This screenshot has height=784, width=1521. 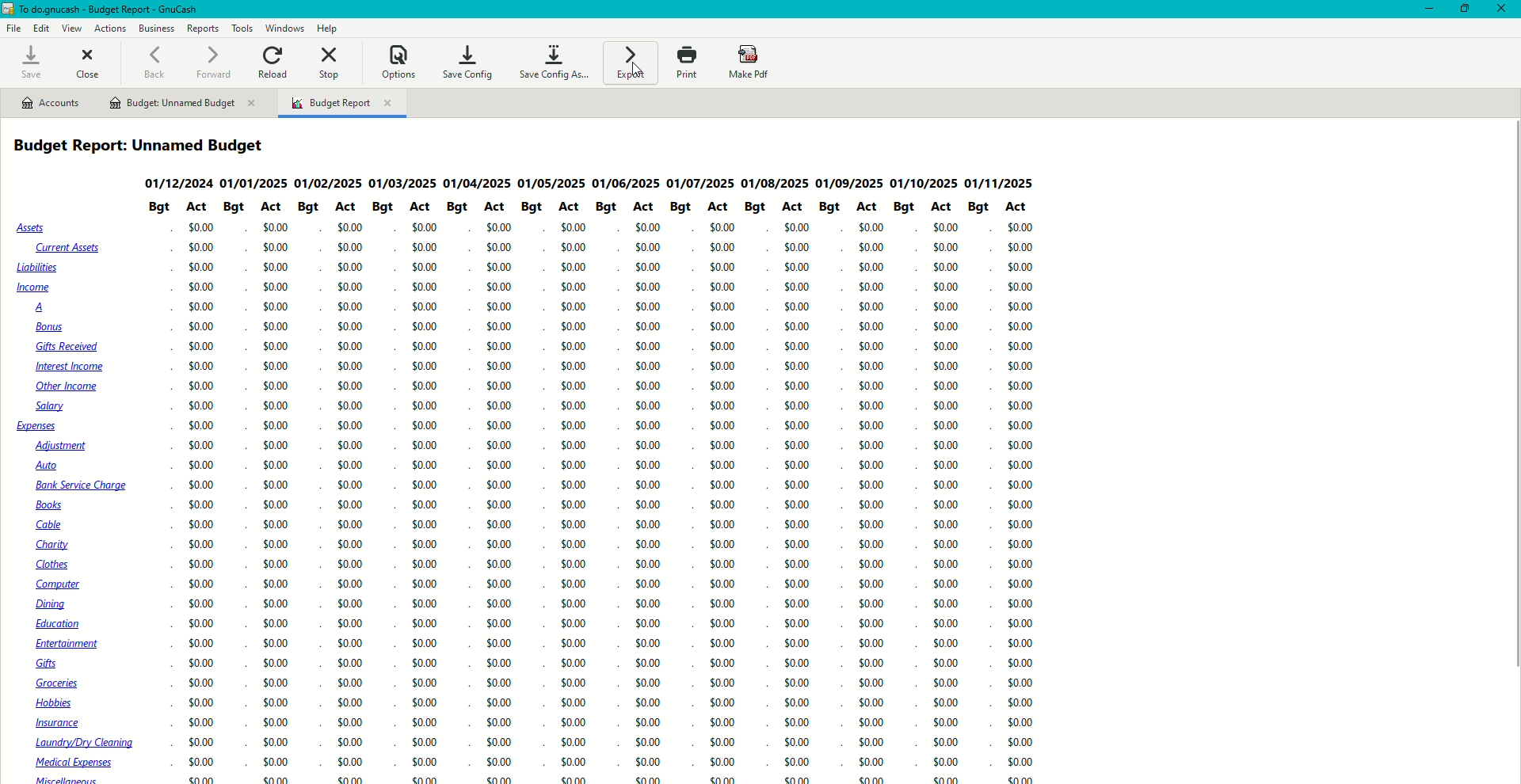 What do you see at coordinates (467, 61) in the screenshot?
I see `Save COnfig` at bounding box center [467, 61].